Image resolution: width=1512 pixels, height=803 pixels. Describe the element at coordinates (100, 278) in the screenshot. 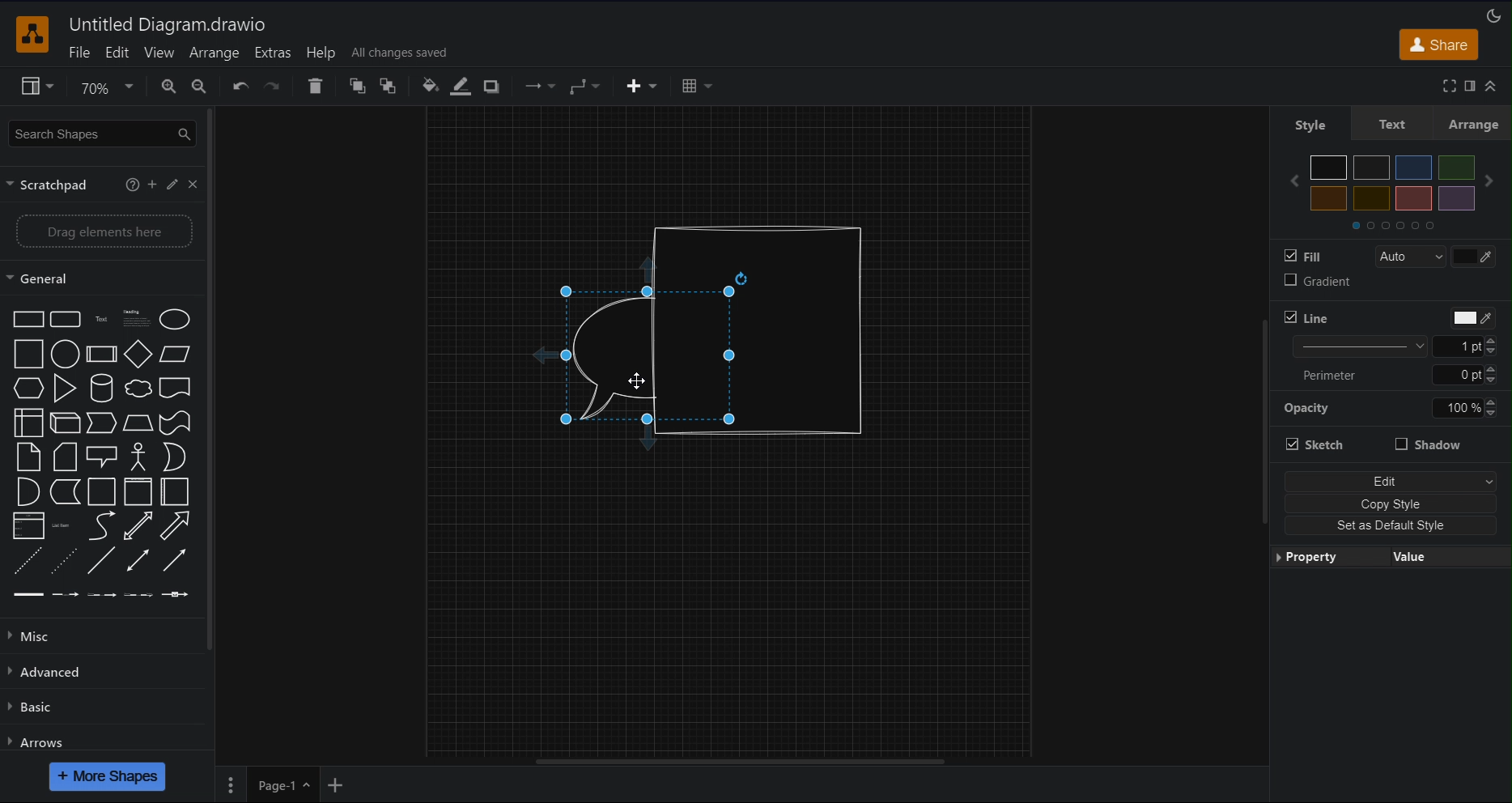

I see `General` at that location.